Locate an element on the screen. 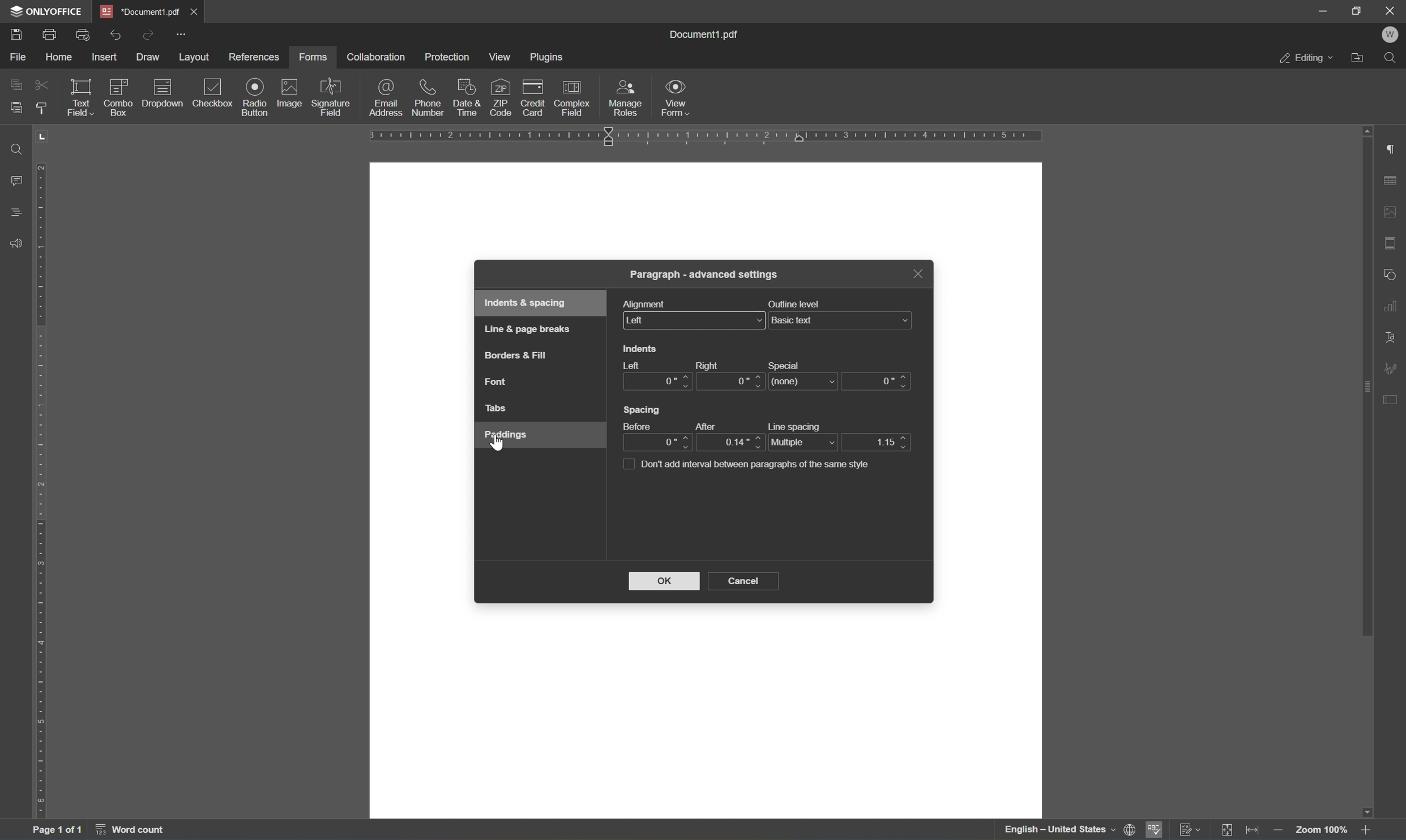 The image size is (1406, 840). cut is located at coordinates (41, 84).